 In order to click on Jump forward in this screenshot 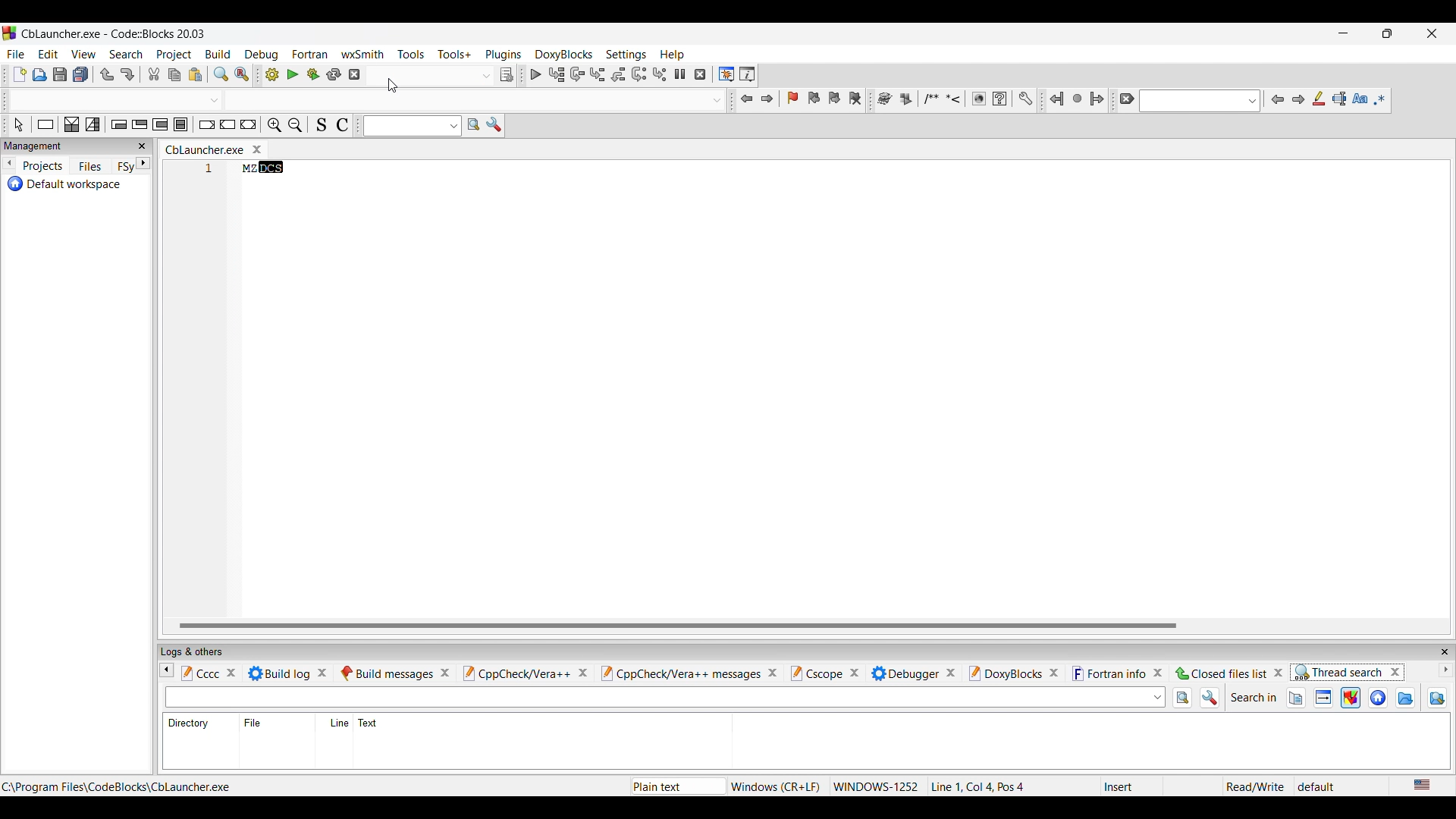, I will do `click(1097, 99)`.